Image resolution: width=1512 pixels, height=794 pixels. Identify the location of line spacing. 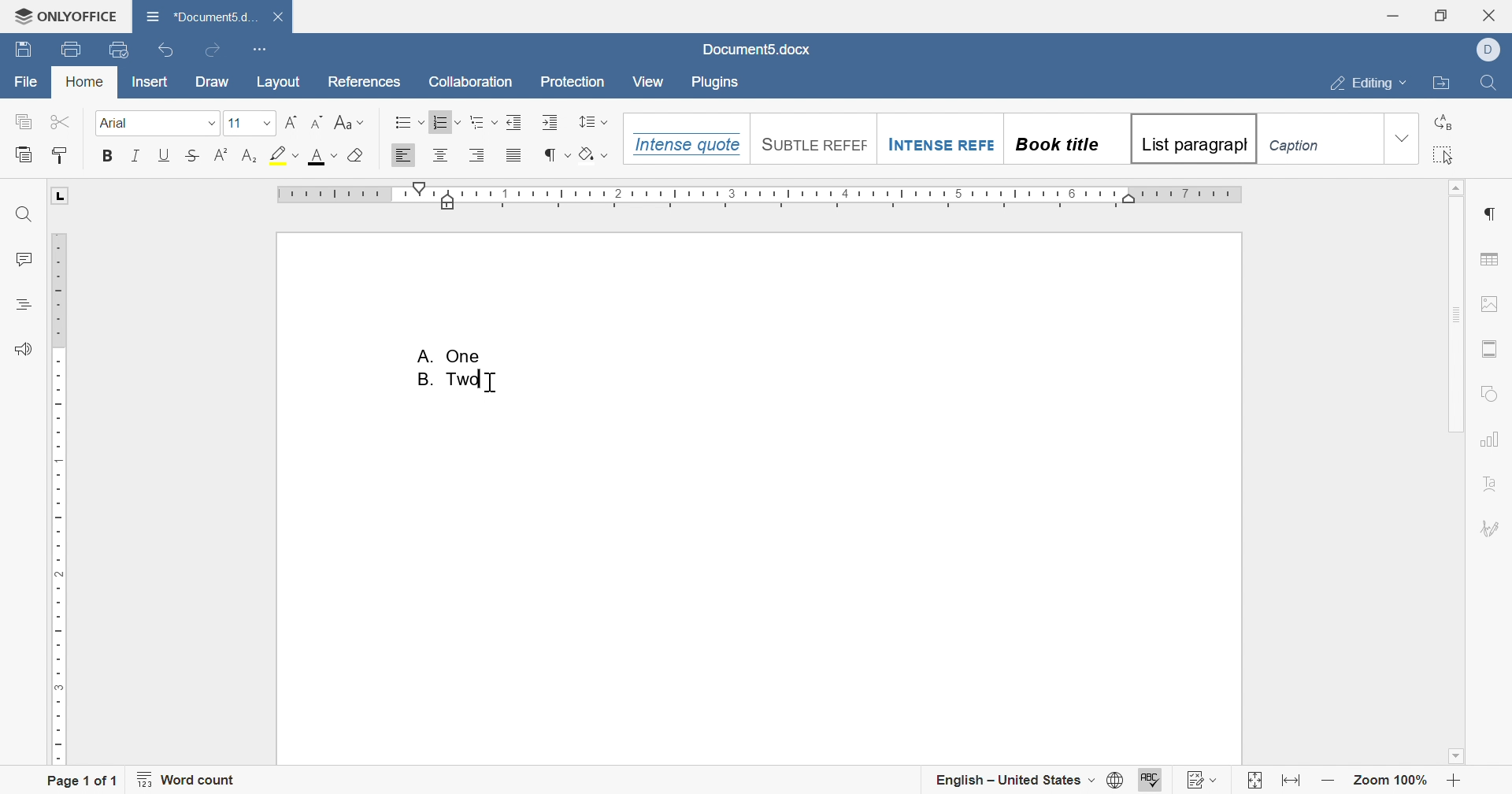
(594, 121).